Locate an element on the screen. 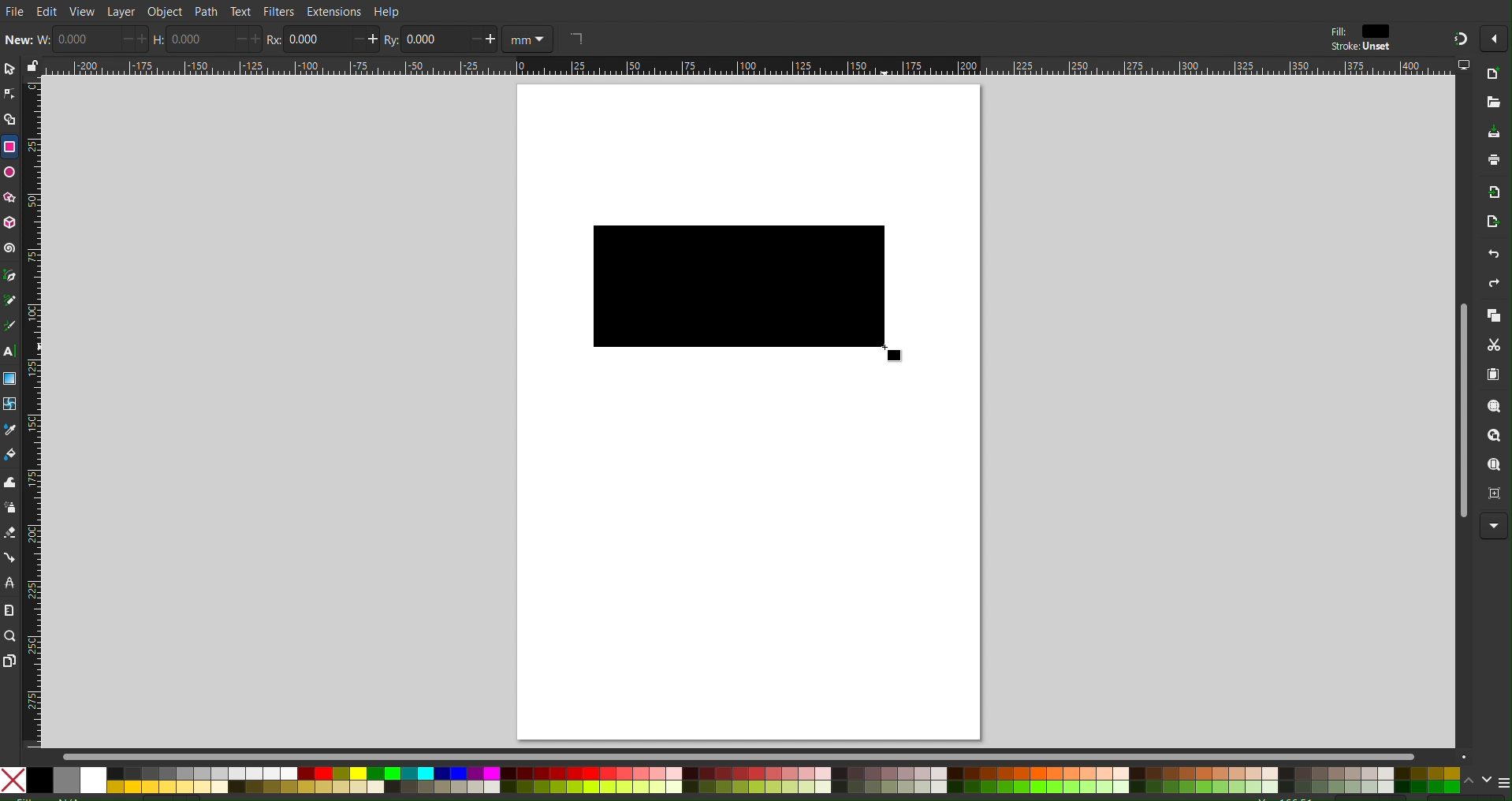  lock is located at coordinates (31, 63).